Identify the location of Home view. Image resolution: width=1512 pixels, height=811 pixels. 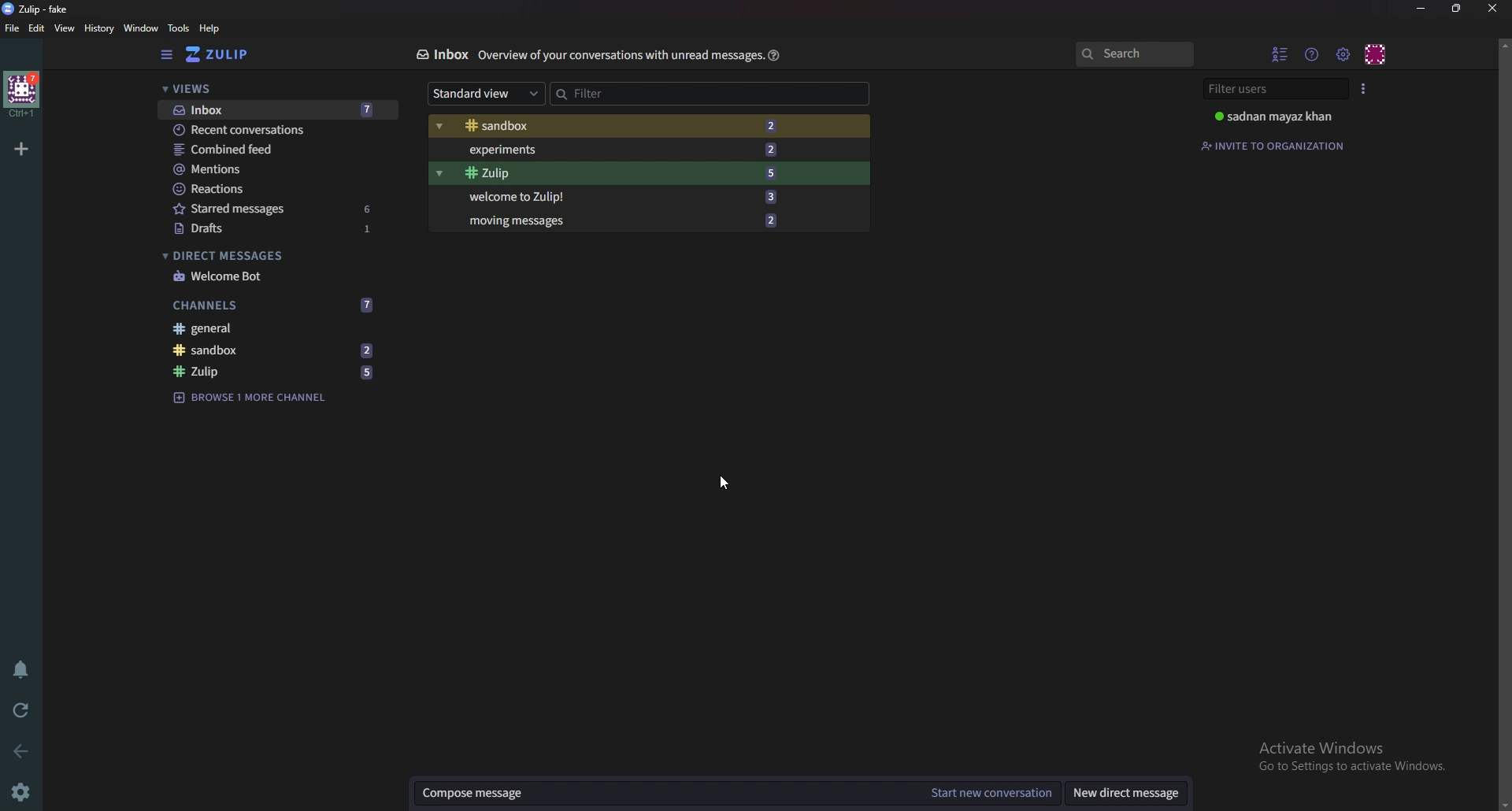
(220, 56).